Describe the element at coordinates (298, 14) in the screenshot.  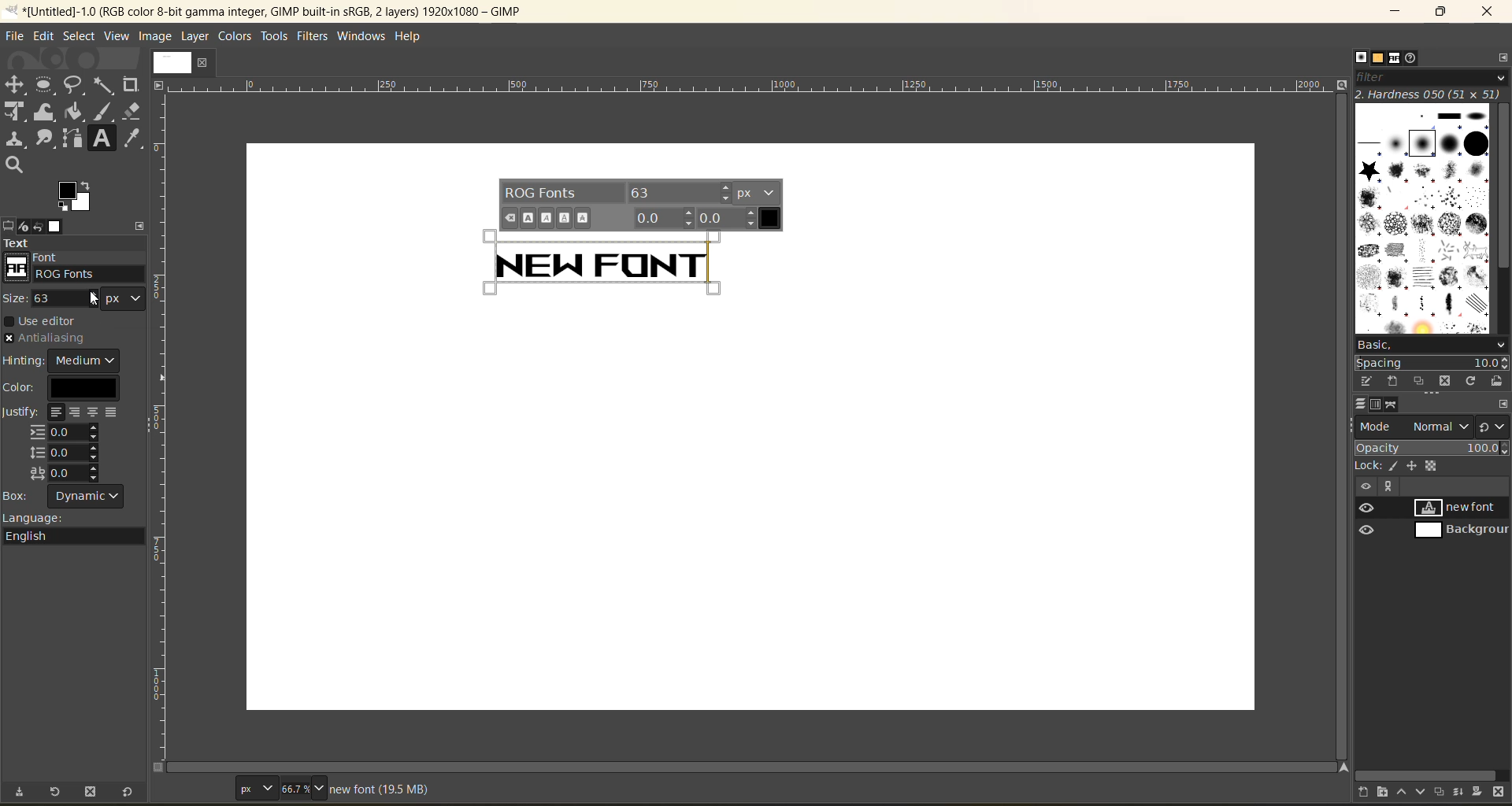
I see `file name and app title` at that location.